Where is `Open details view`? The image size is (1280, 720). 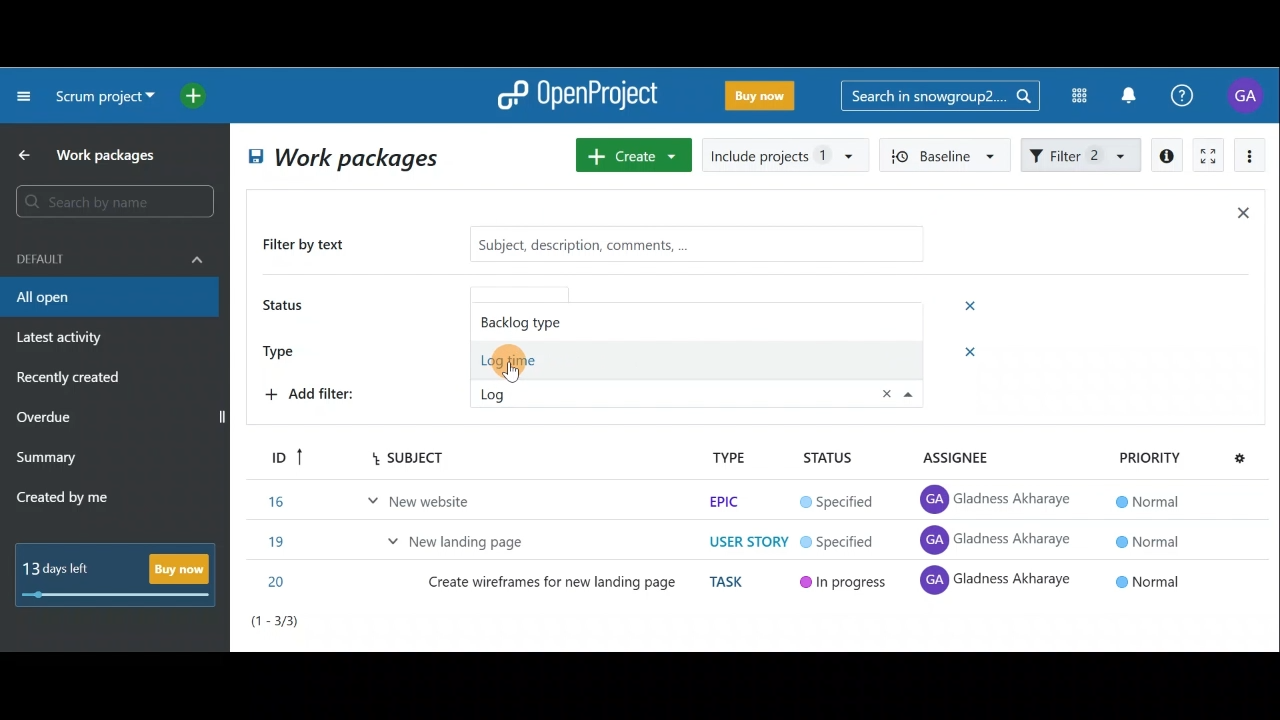 Open details view is located at coordinates (1168, 156).